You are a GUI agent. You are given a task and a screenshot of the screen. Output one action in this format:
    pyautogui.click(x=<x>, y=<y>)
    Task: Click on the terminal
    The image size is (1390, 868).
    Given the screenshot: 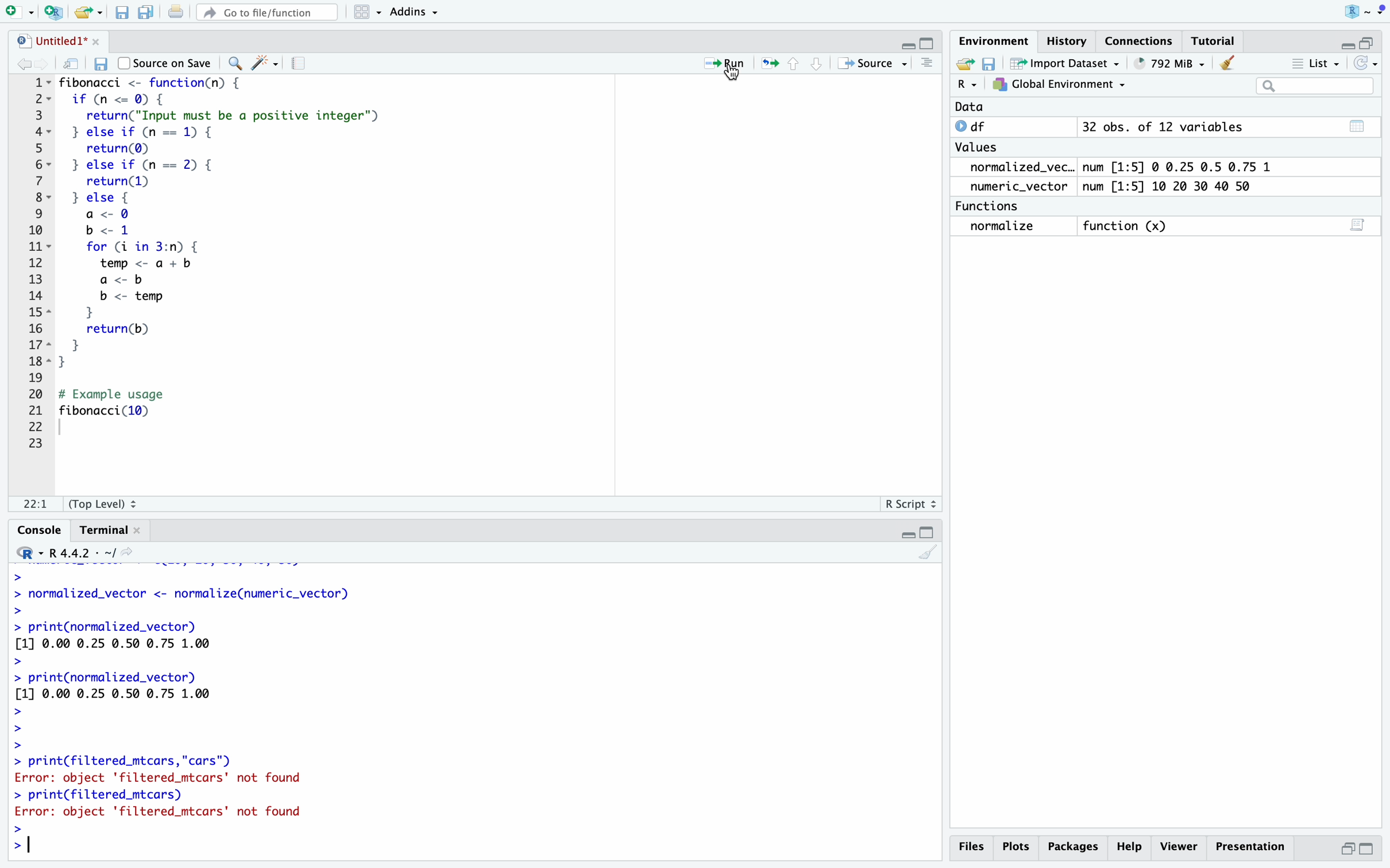 What is the action you would take?
    pyautogui.click(x=113, y=529)
    